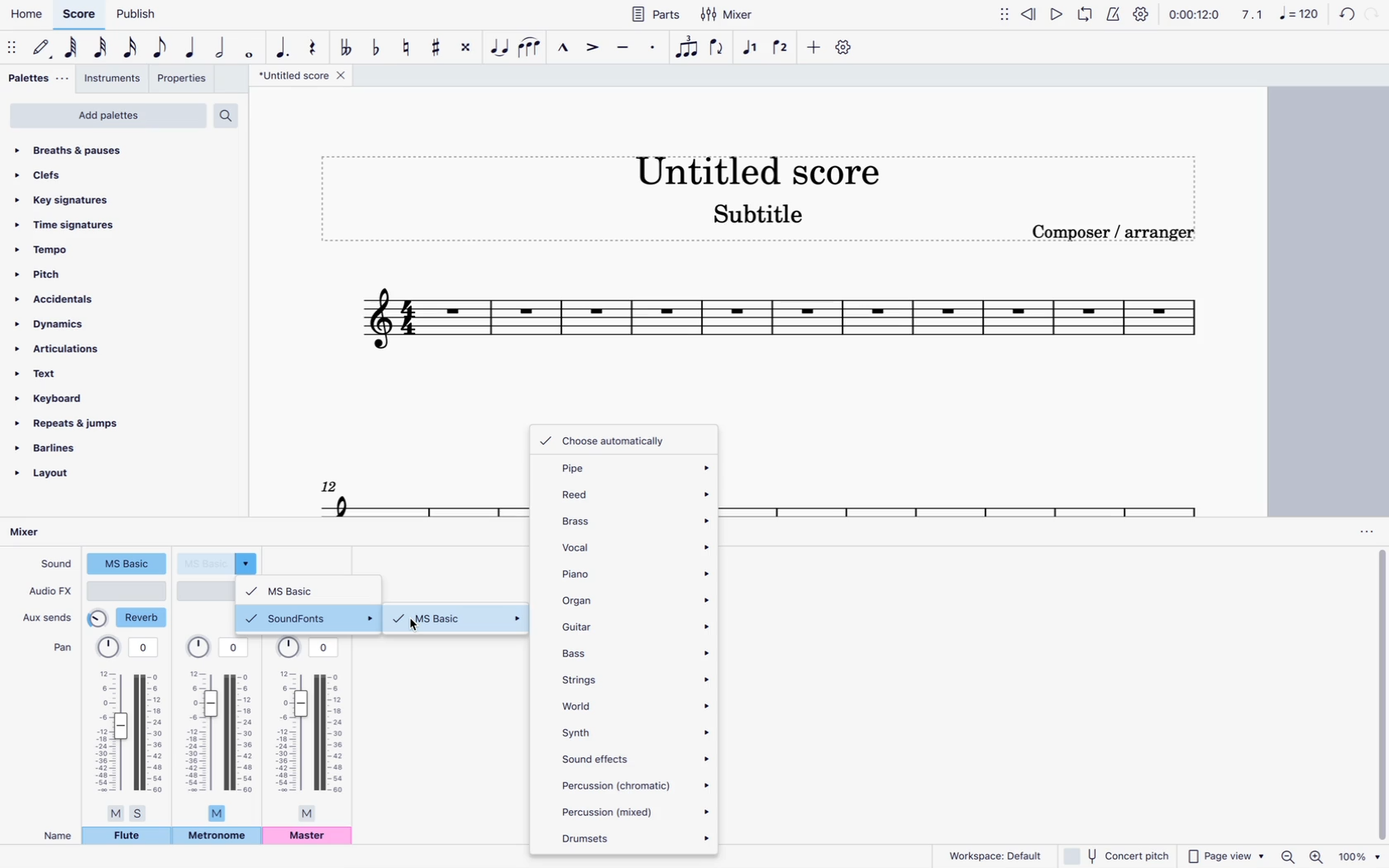 The width and height of the screenshot is (1389, 868). I want to click on back, so click(1343, 14).